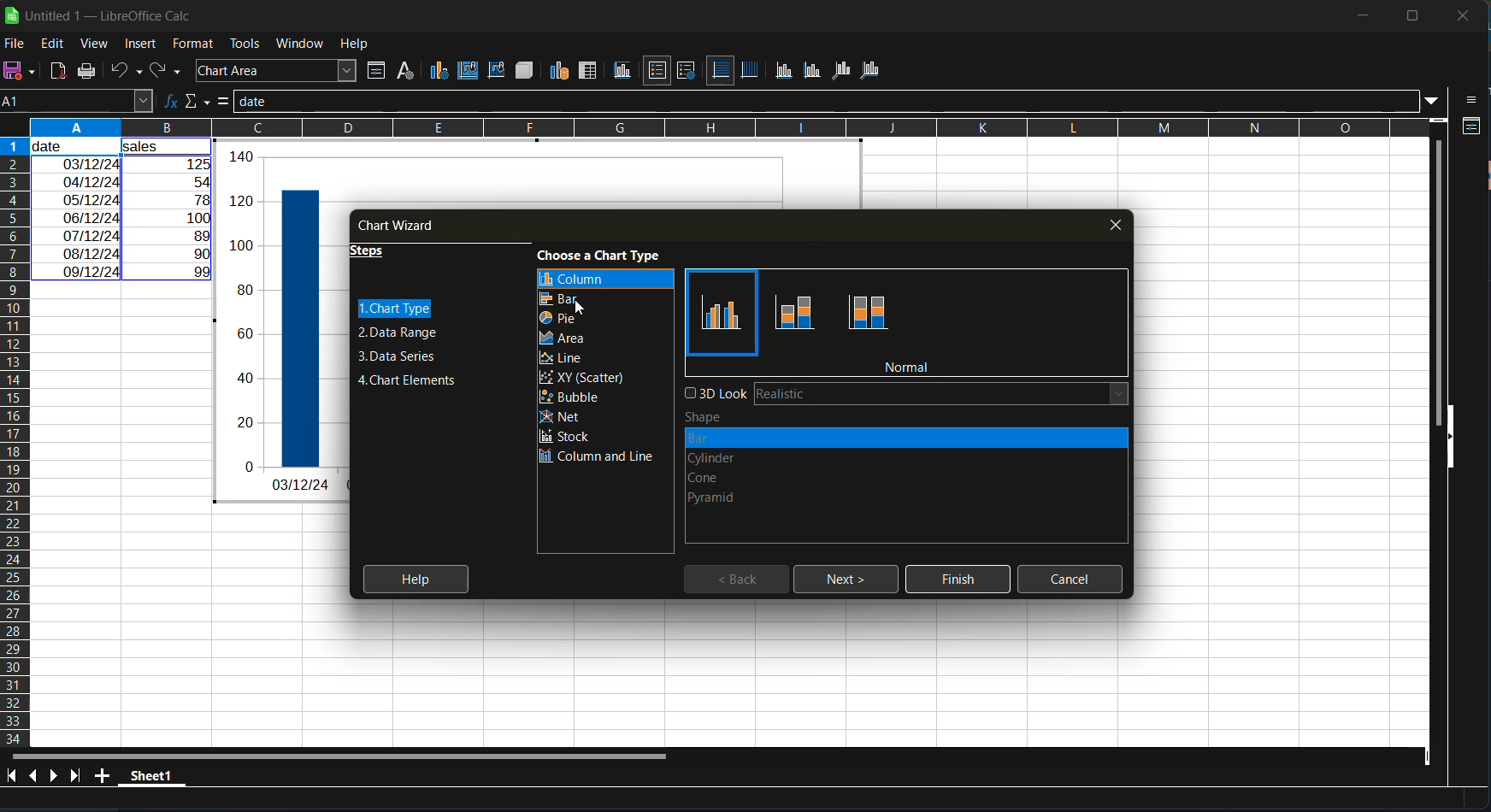 This screenshot has height=812, width=1491. Describe the element at coordinates (167, 68) in the screenshot. I see `redo` at that location.